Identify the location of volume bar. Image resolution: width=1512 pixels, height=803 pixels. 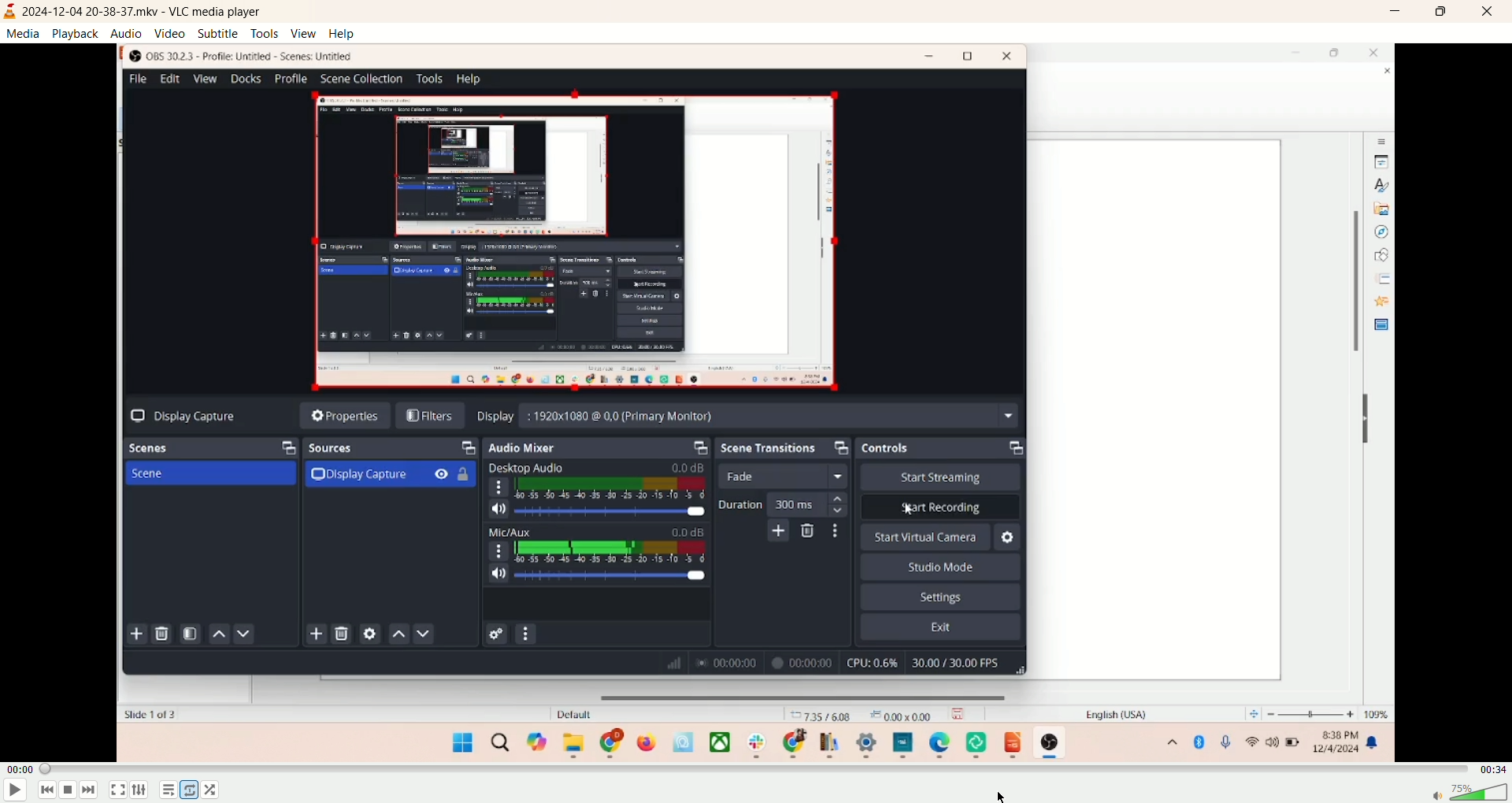
(1479, 790).